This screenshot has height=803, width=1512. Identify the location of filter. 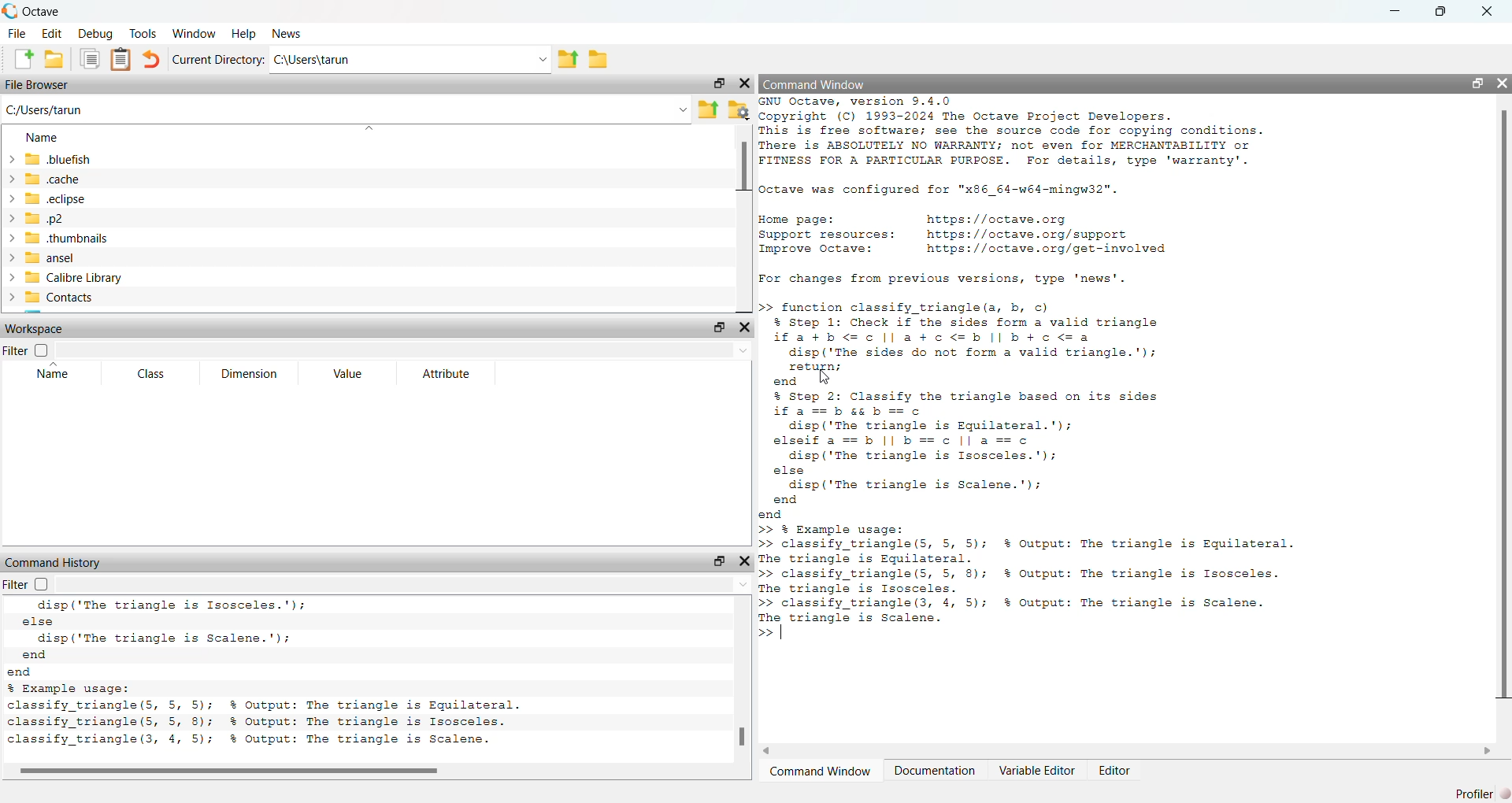
(28, 351).